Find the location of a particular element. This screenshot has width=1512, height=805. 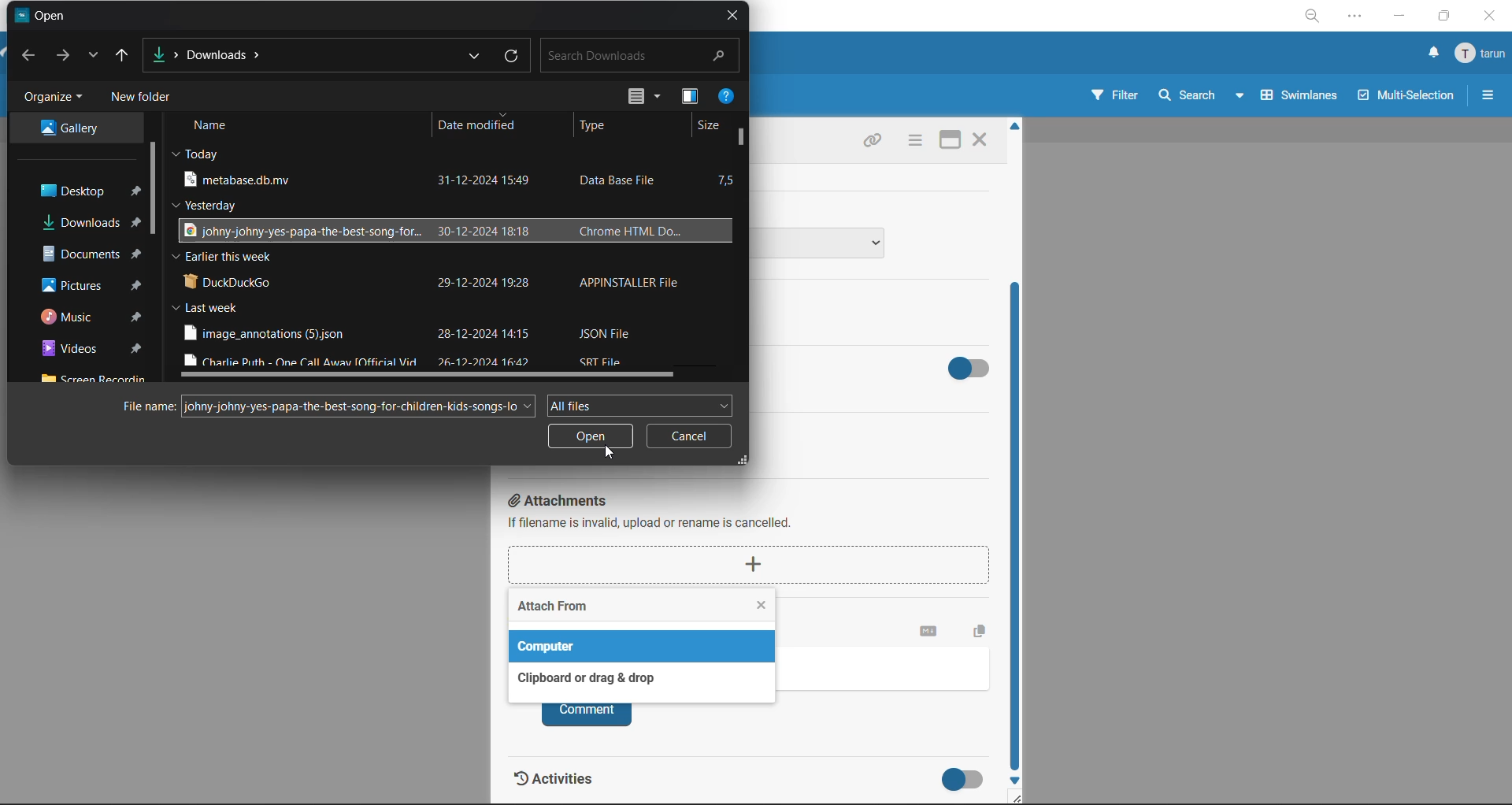

documents is located at coordinates (79, 255).